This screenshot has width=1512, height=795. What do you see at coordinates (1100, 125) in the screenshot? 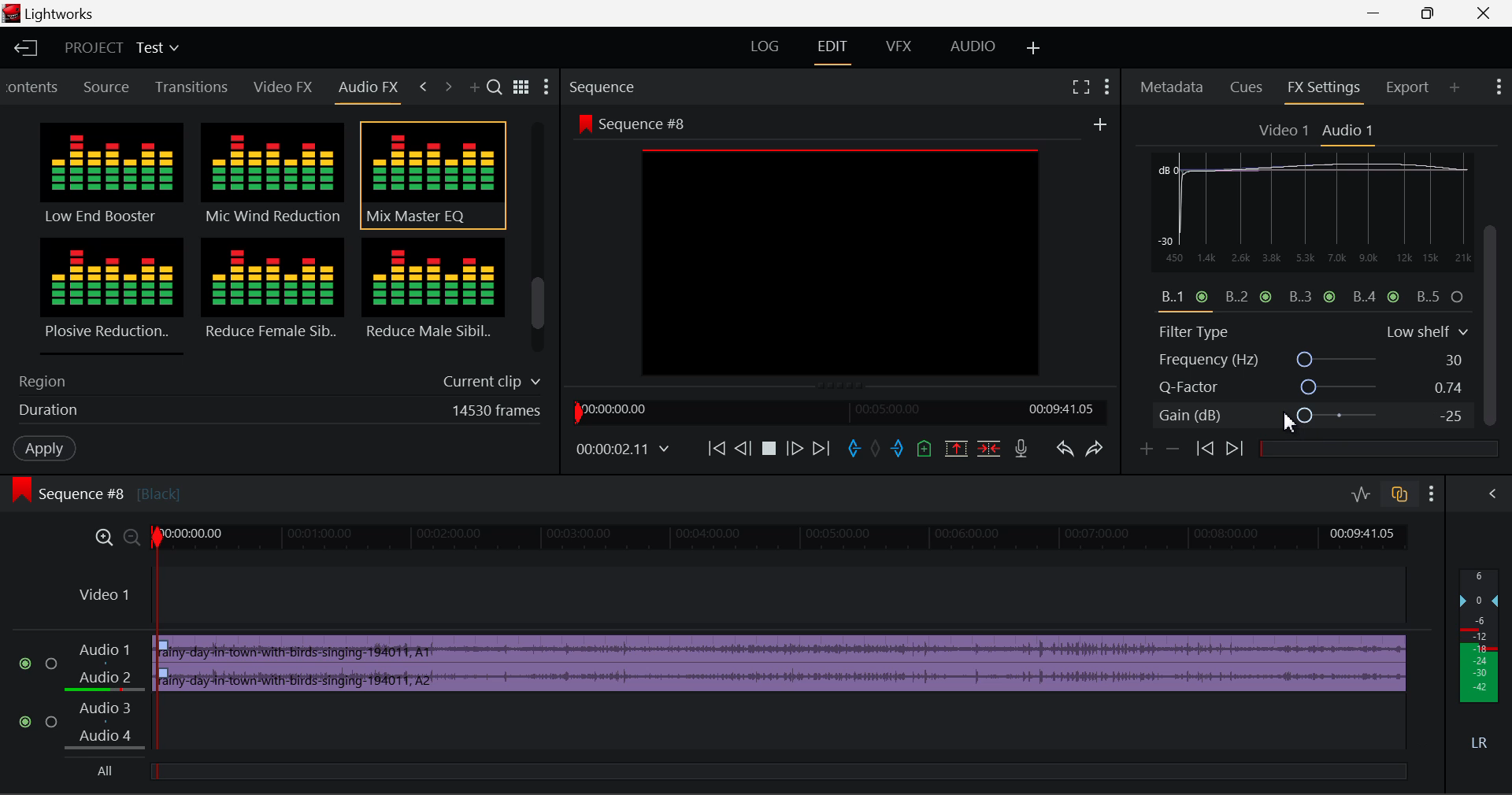
I see `Add` at bounding box center [1100, 125].